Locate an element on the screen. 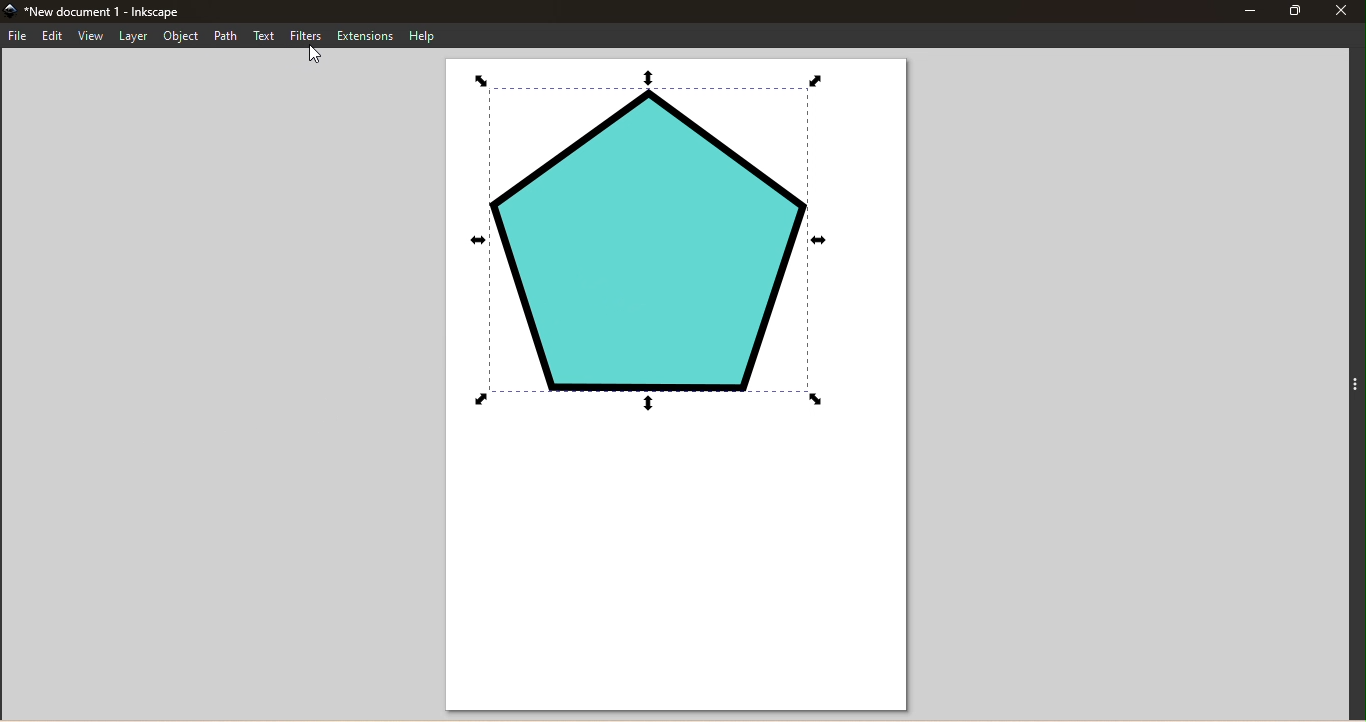 The height and width of the screenshot is (722, 1366). New document 1 - Inkscape is located at coordinates (154, 13).